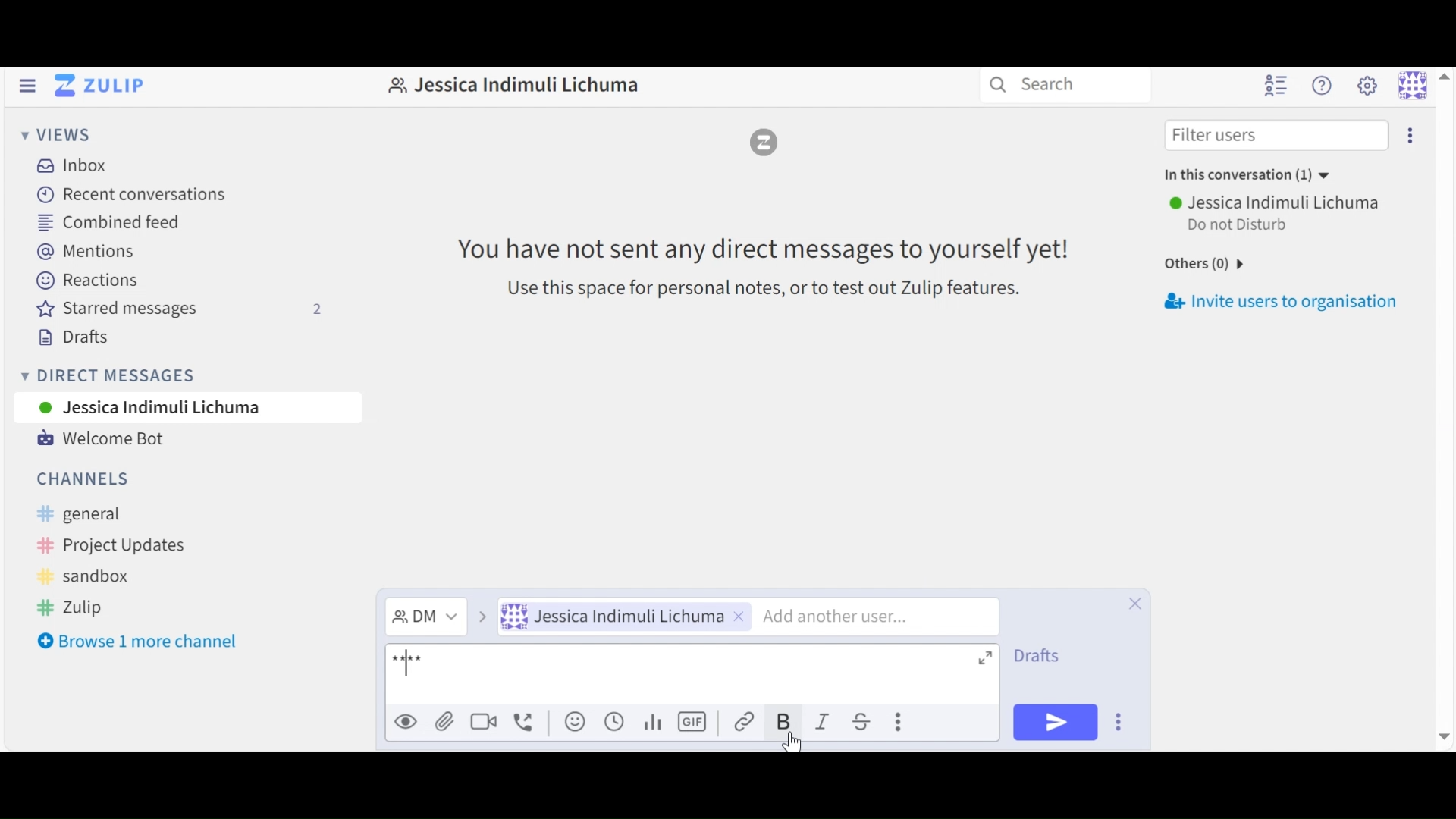 The height and width of the screenshot is (819, 1456). Describe the element at coordinates (1325, 86) in the screenshot. I see `Help menu` at that location.